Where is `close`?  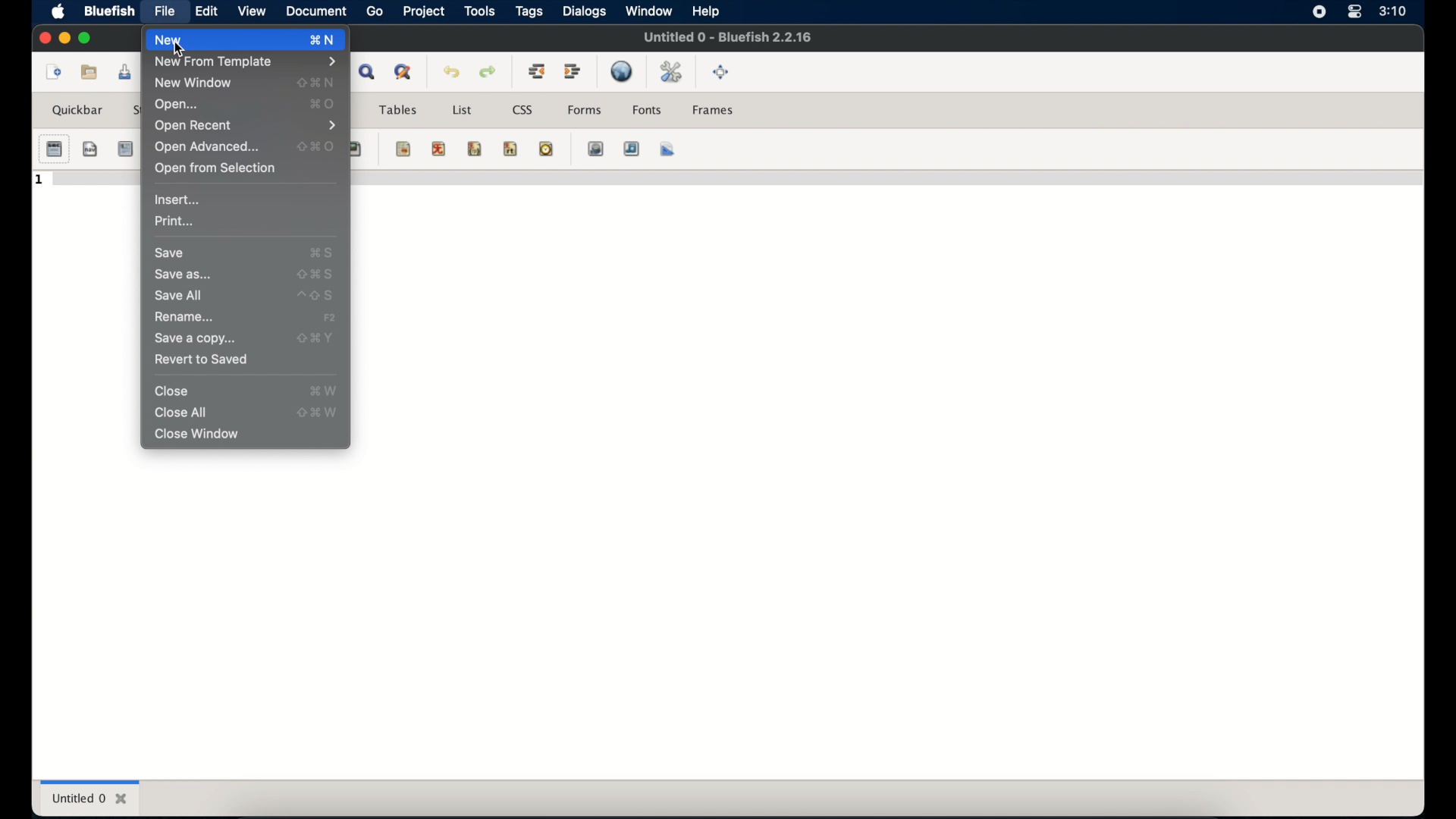
close is located at coordinates (173, 391).